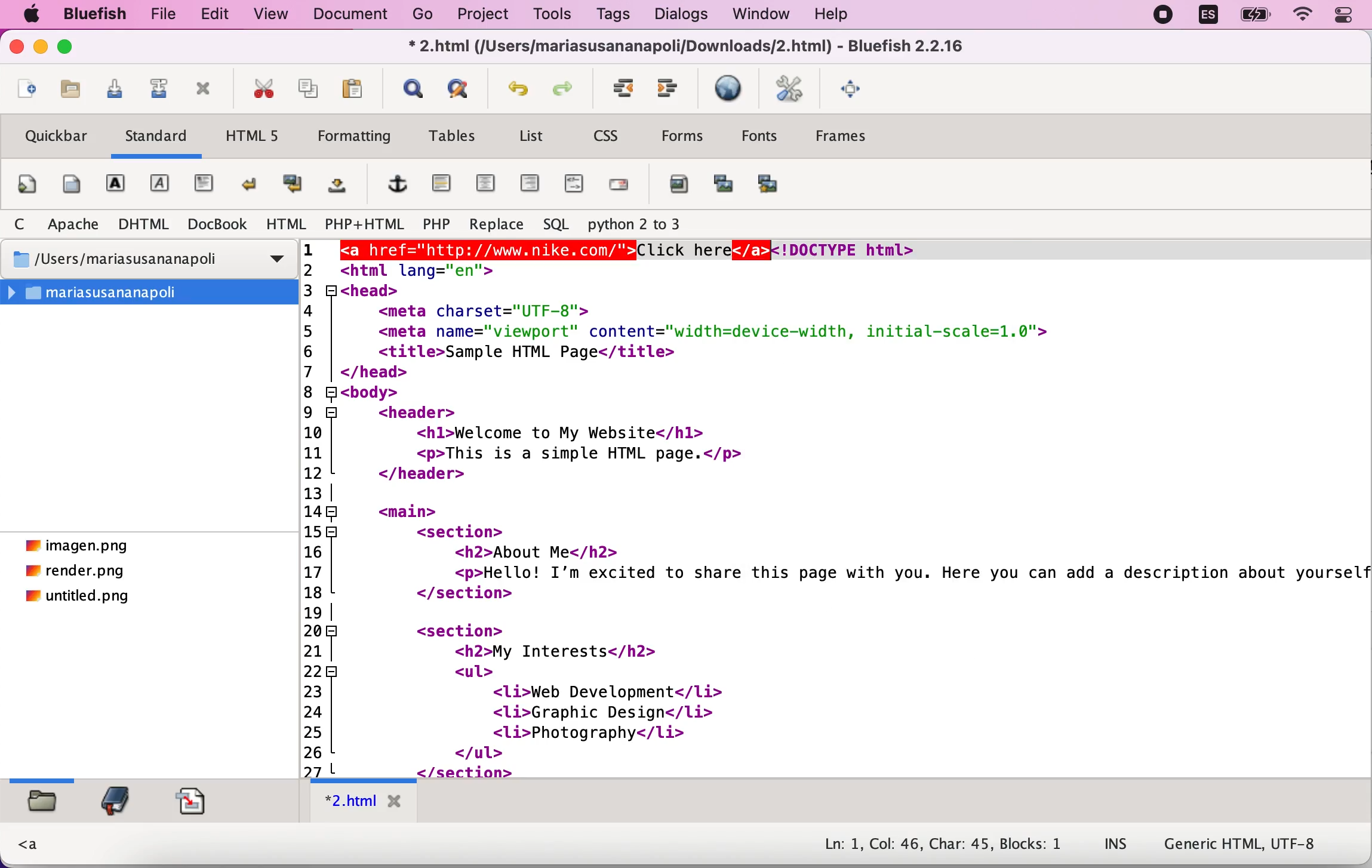 The height and width of the screenshot is (868, 1372). Describe the element at coordinates (273, 14) in the screenshot. I see `view` at that location.